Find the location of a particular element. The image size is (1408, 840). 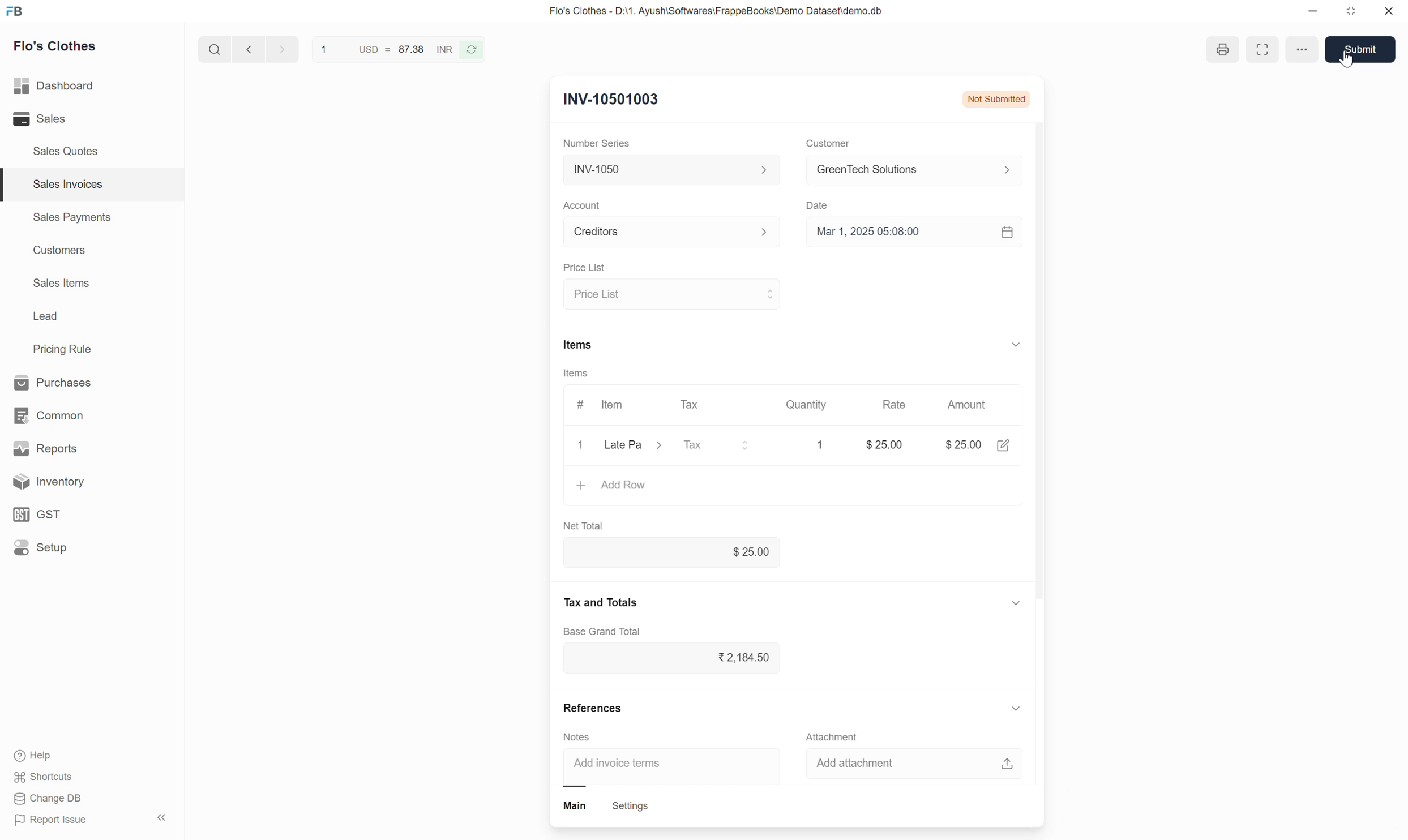

Attachment is located at coordinates (836, 735).